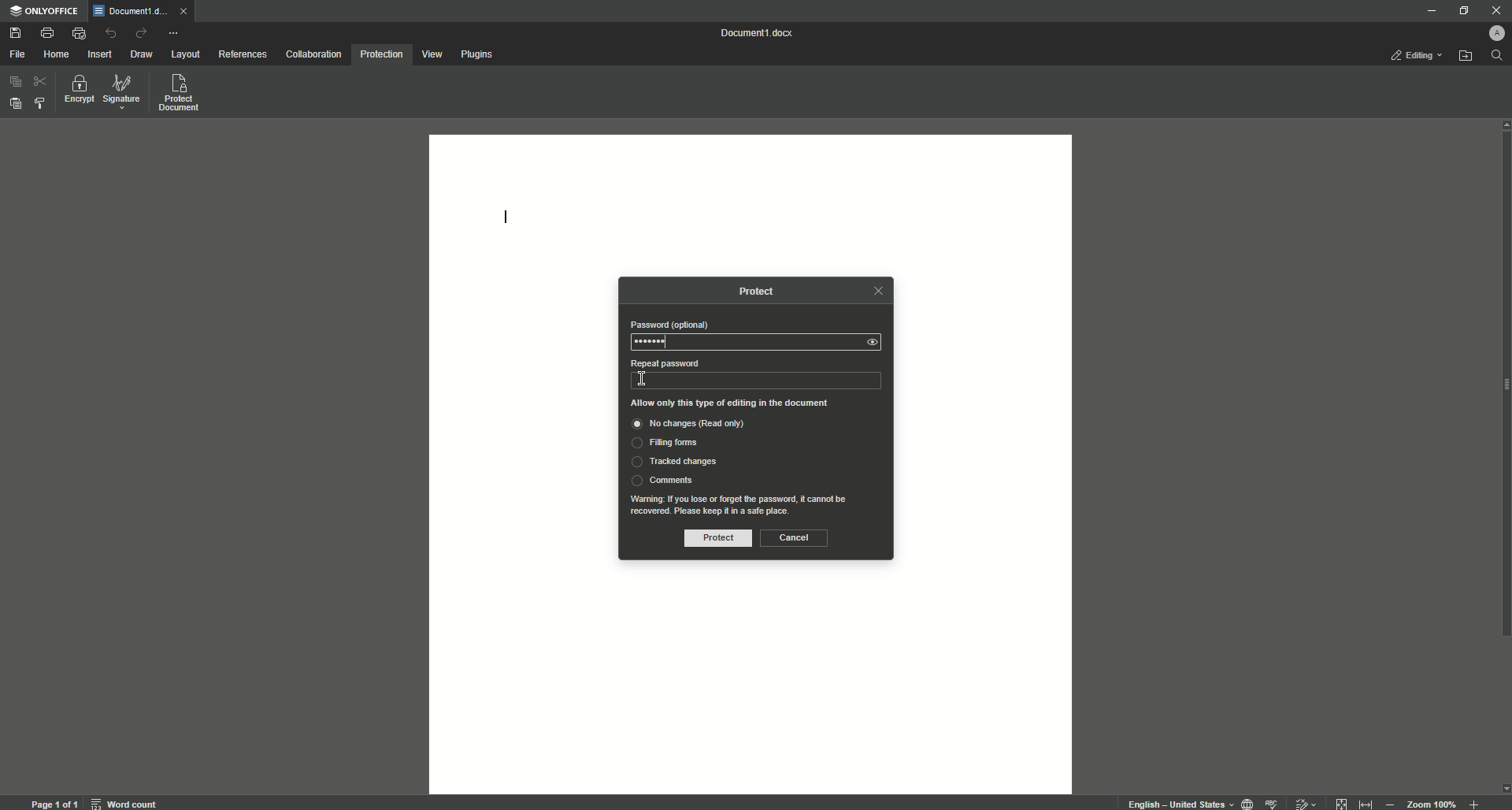  What do you see at coordinates (669, 444) in the screenshot?
I see `Filing Forms` at bounding box center [669, 444].